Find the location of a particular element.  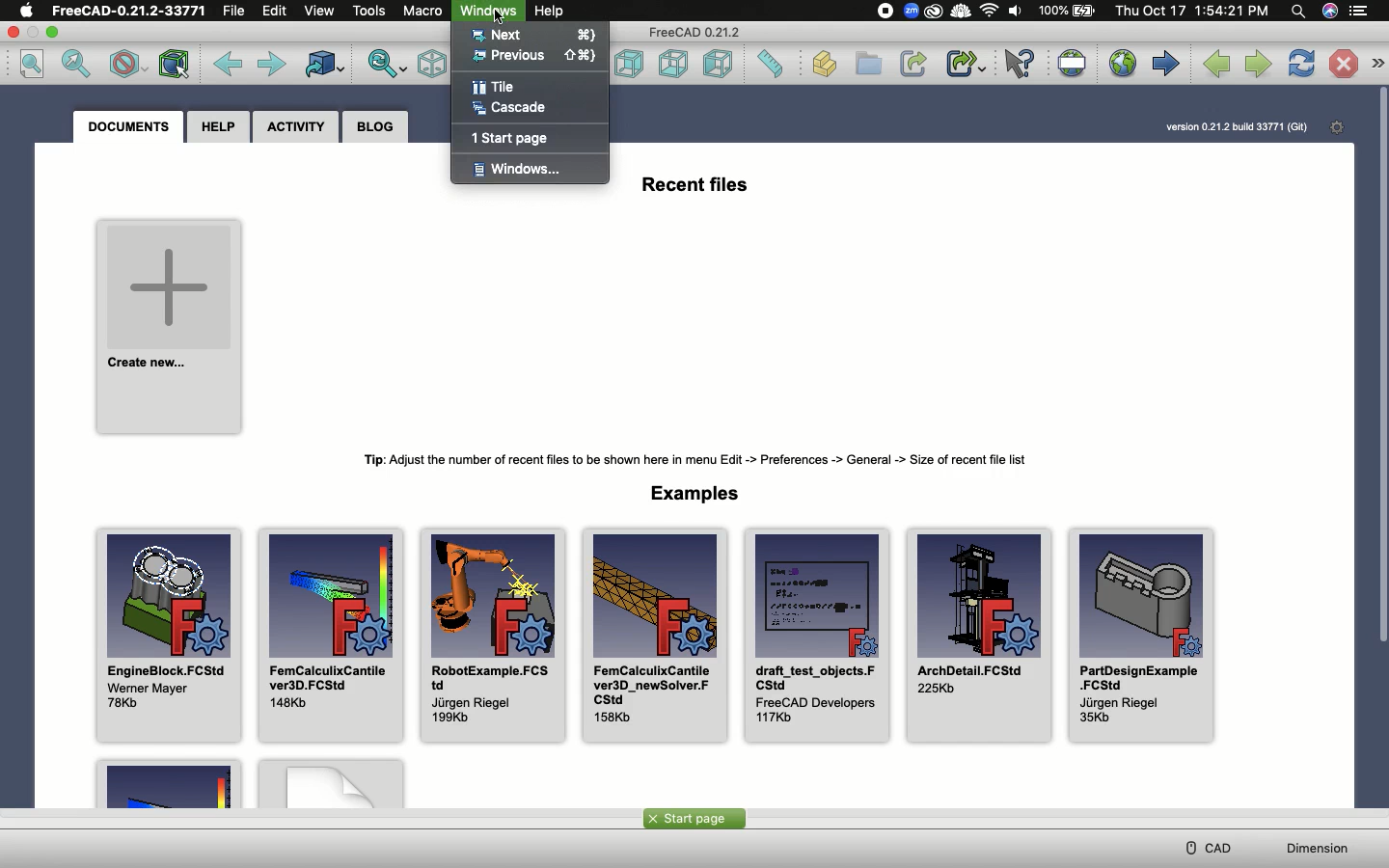

Back is located at coordinates (225, 64).